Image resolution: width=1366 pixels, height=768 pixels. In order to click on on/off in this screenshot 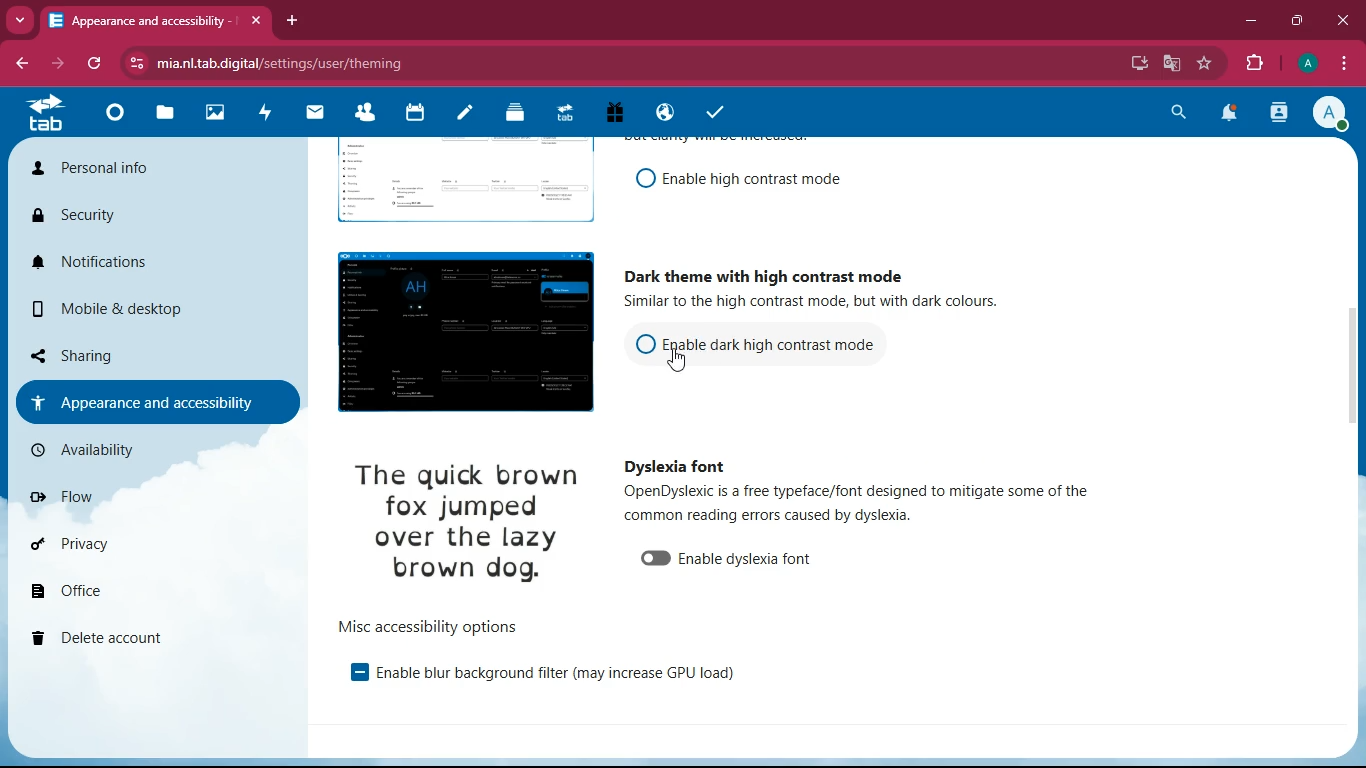, I will do `click(640, 179)`.